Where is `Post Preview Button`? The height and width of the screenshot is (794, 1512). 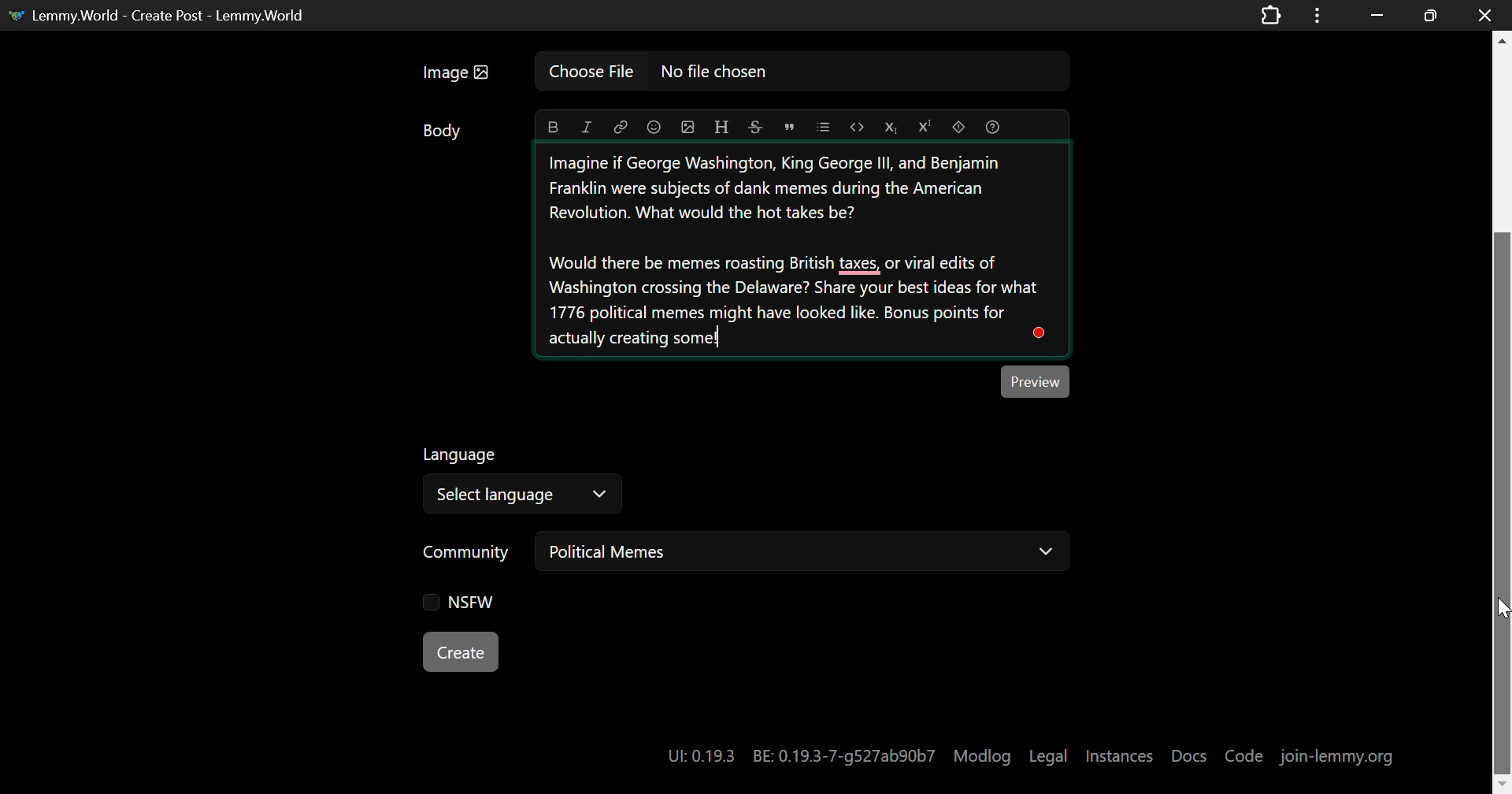 Post Preview Button is located at coordinates (1038, 383).